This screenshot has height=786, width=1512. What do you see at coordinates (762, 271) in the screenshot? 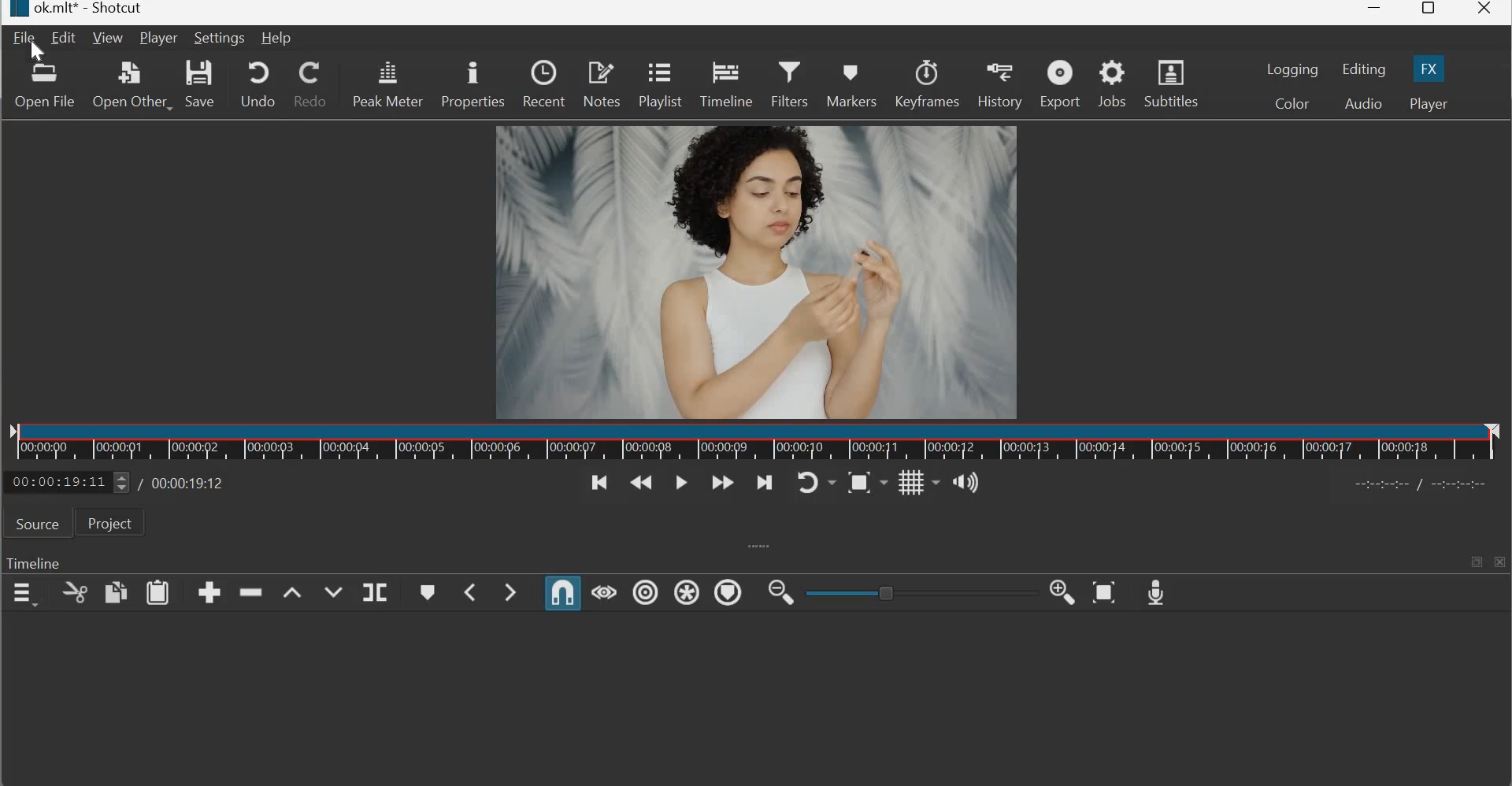
I see `Canvas` at bounding box center [762, 271].